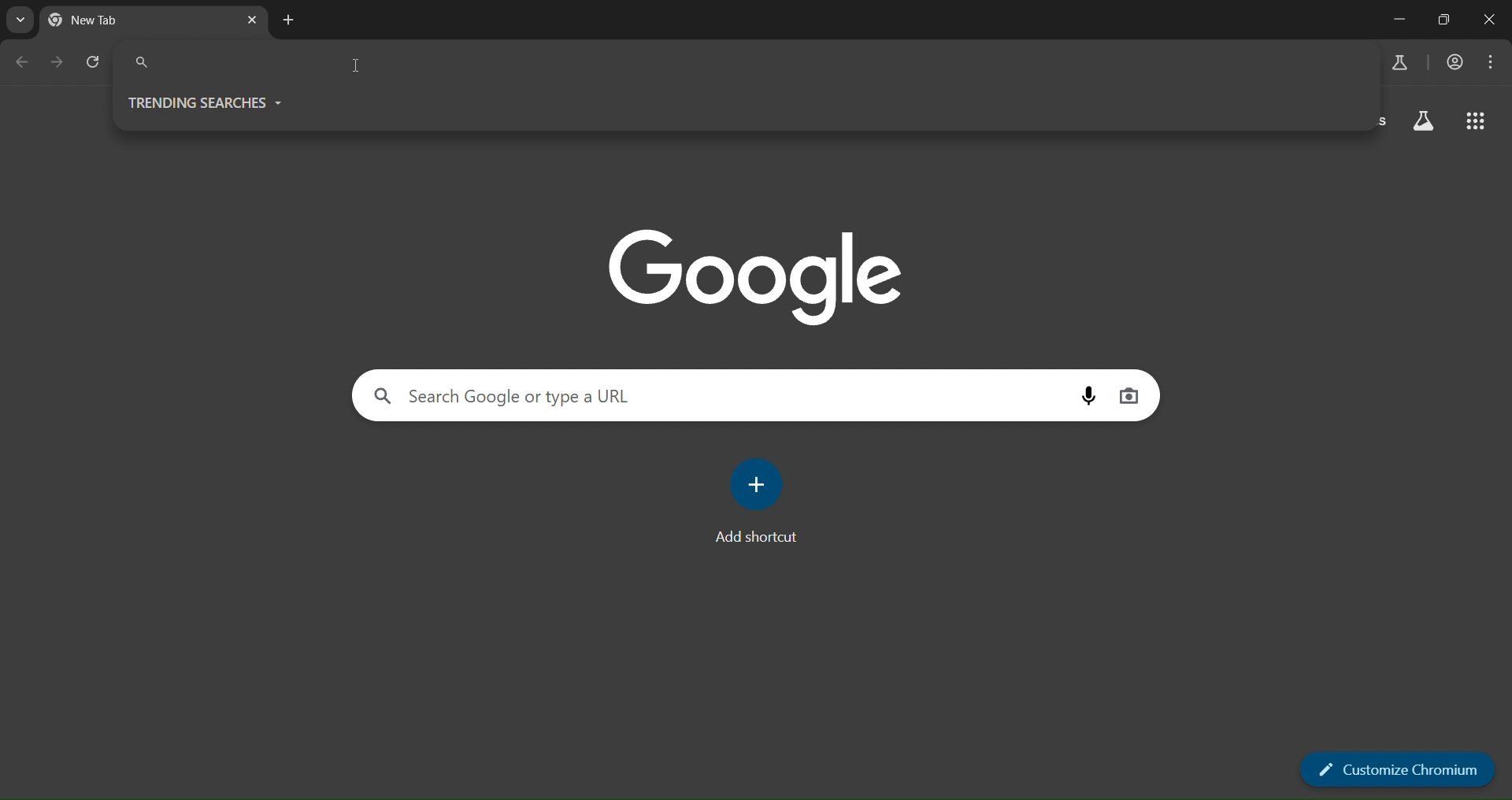 The height and width of the screenshot is (800, 1512). Describe the element at coordinates (60, 64) in the screenshot. I see `go forward one page` at that location.